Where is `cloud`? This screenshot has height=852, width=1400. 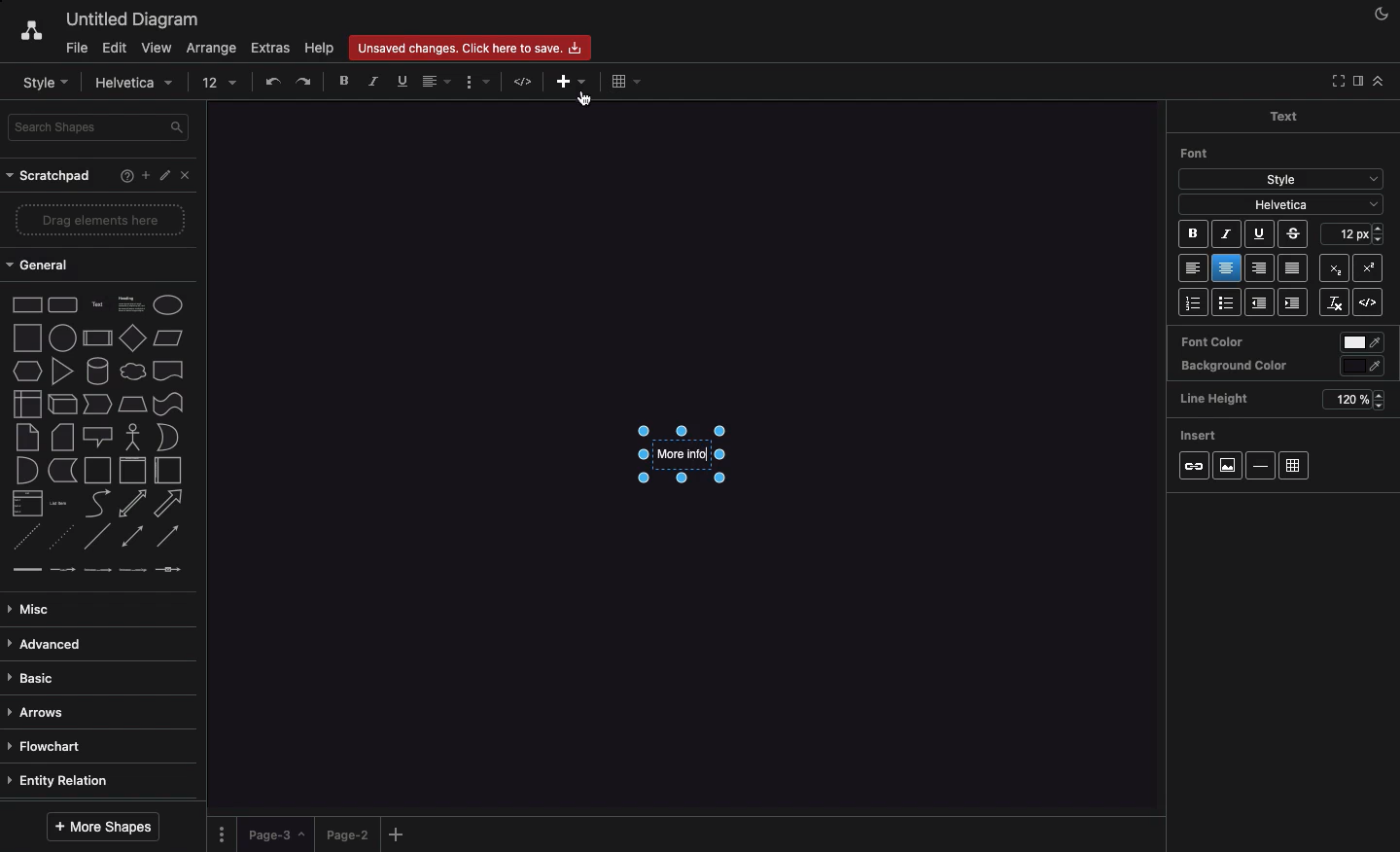
cloud is located at coordinates (133, 372).